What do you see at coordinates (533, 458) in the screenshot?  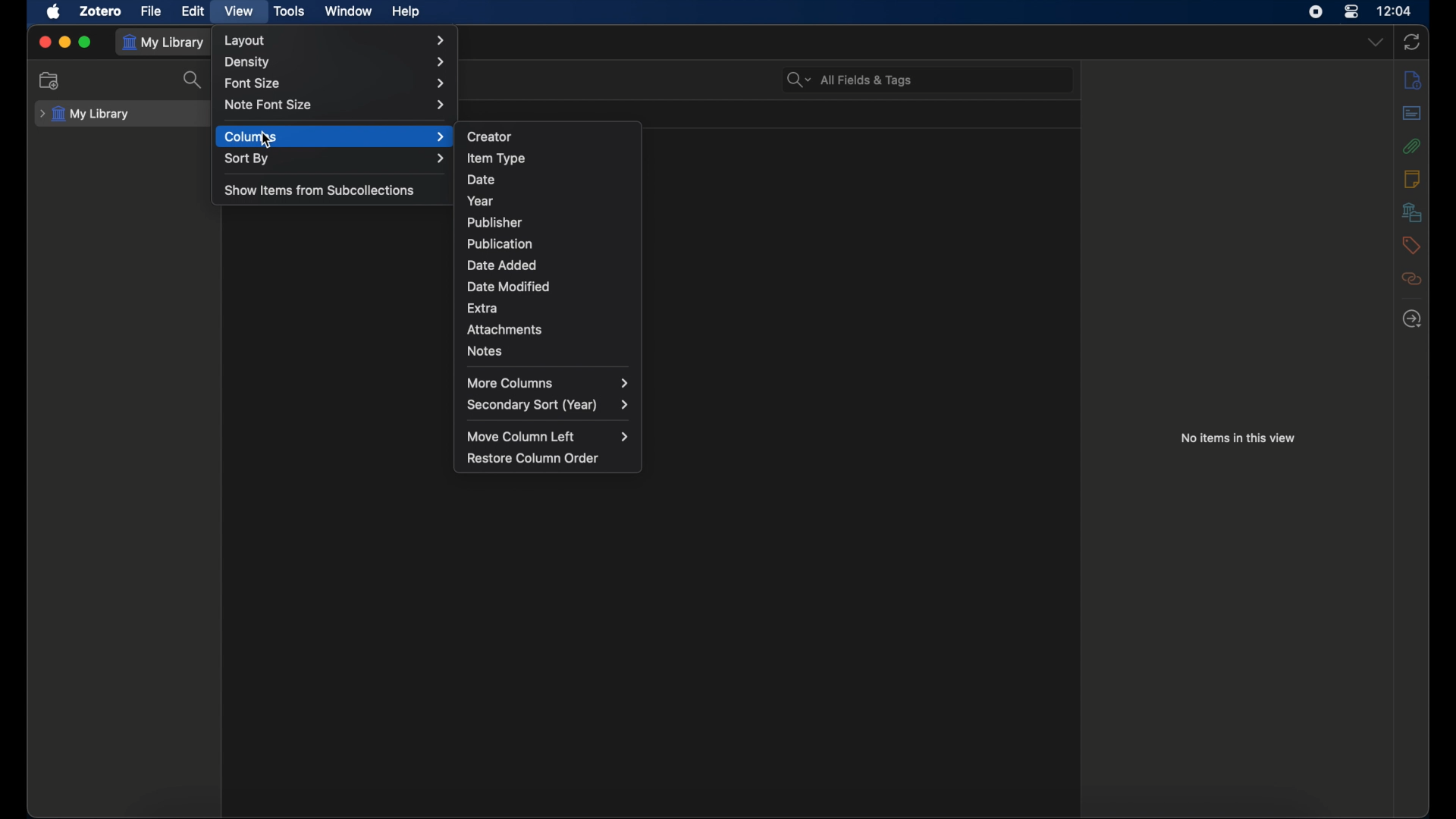 I see `restore column order` at bounding box center [533, 458].